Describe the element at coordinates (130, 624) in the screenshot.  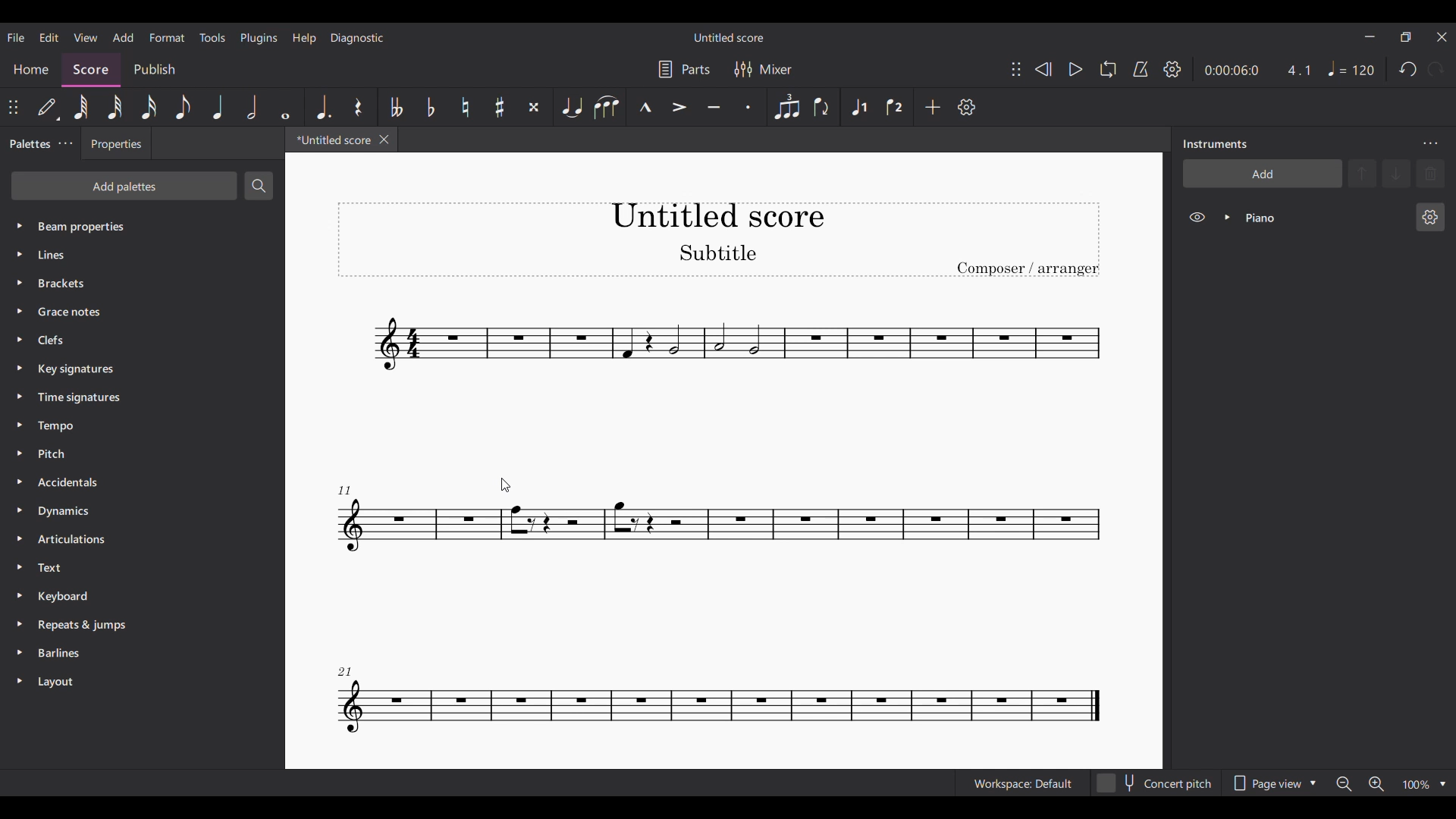
I see `Repeats & jumps` at that location.